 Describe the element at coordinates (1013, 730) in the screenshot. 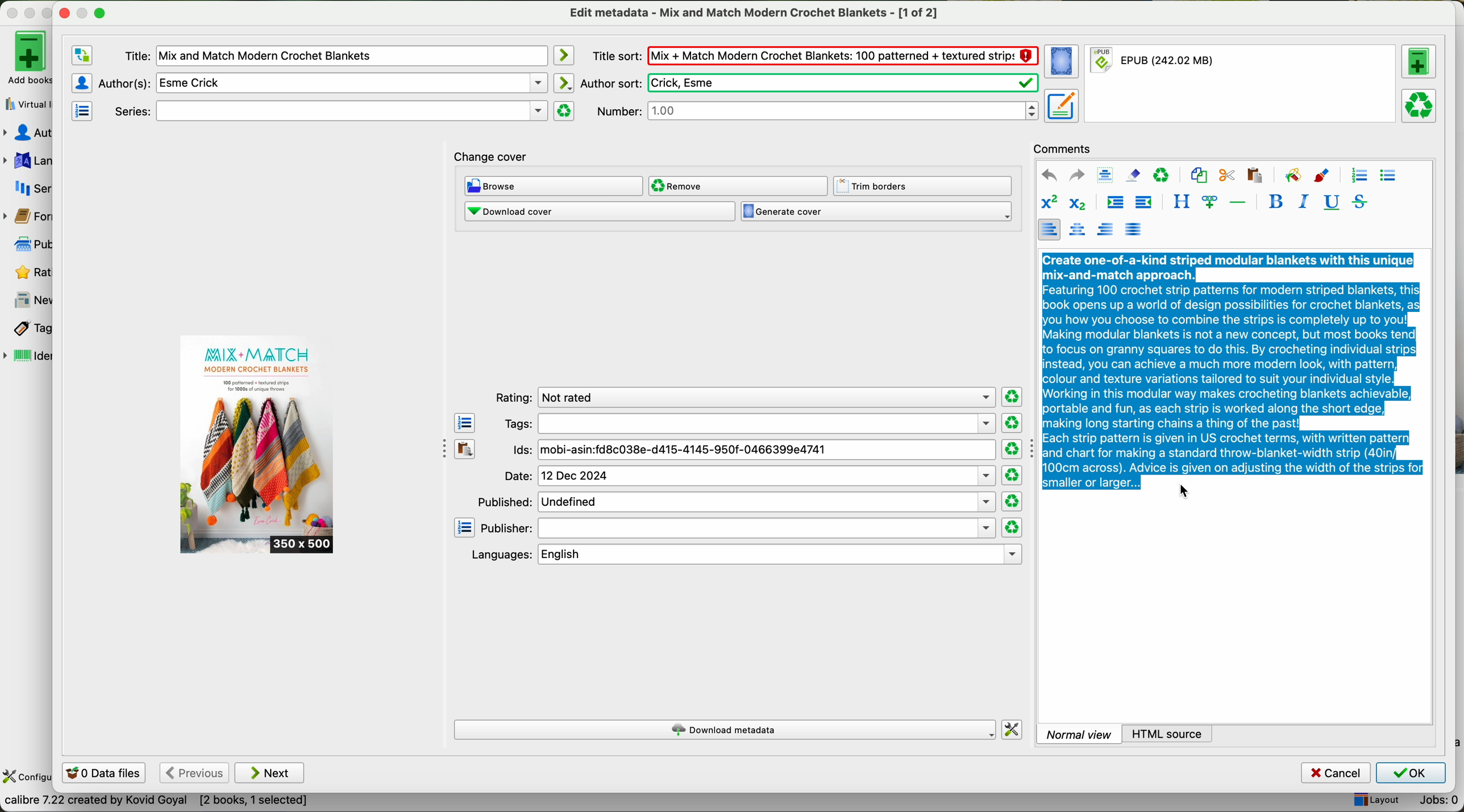

I see `change how calibre downloads metadata` at that location.